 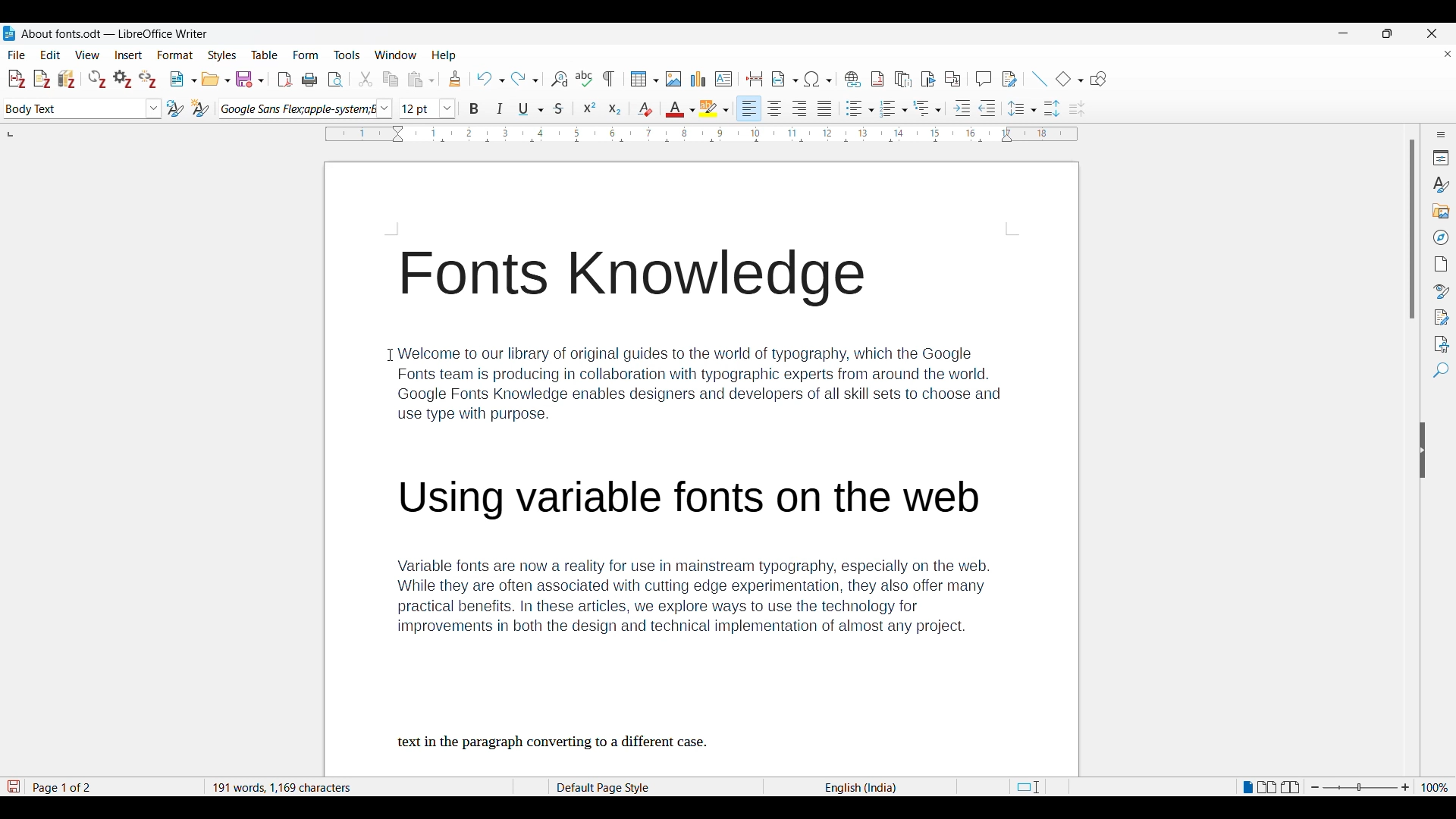 What do you see at coordinates (560, 108) in the screenshot?
I see `Strike through` at bounding box center [560, 108].